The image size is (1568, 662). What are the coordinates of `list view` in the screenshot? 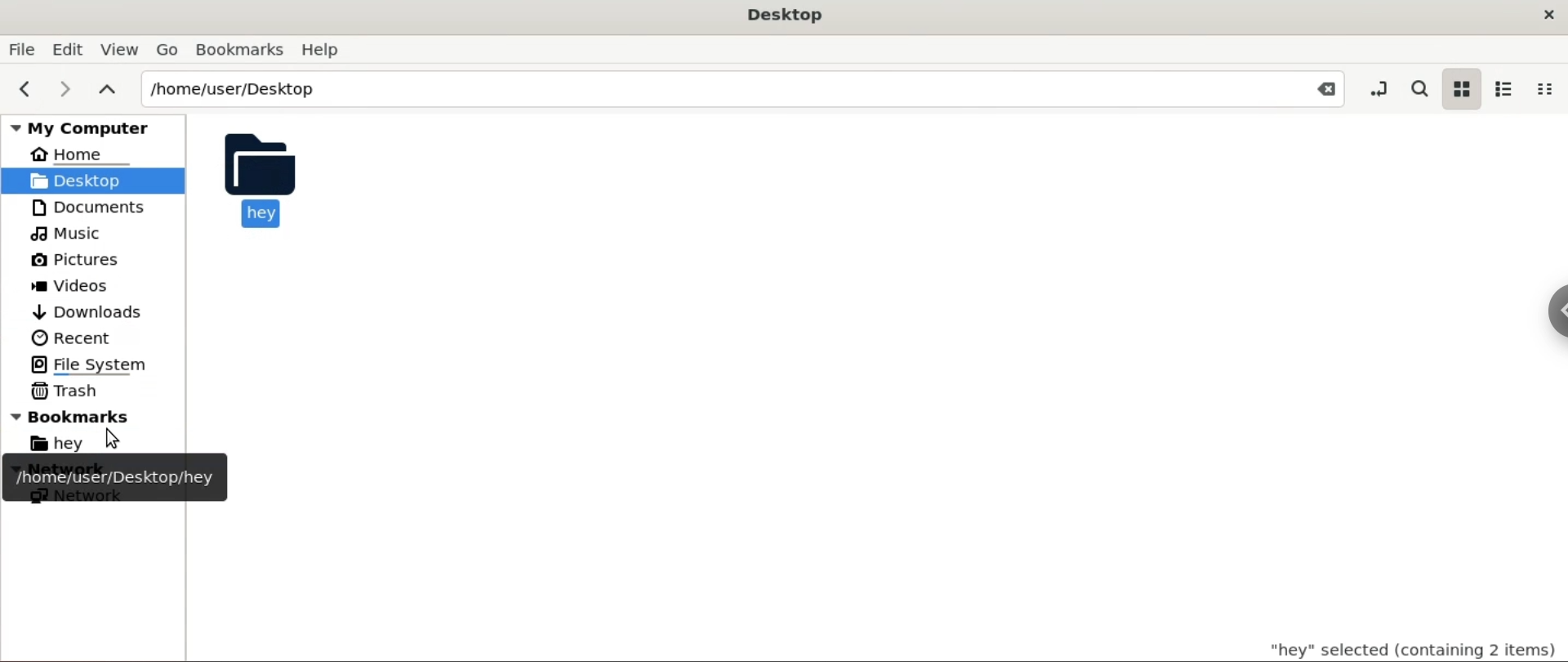 It's located at (1504, 88).